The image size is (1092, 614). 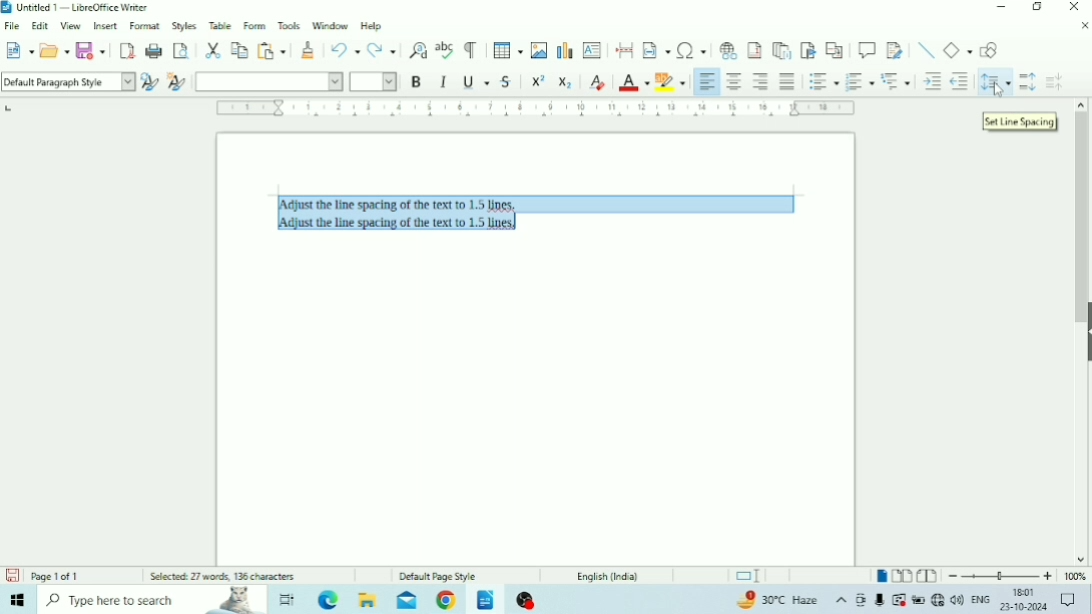 What do you see at coordinates (933, 82) in the screenshot?
I see `Increase Indent` at bounding box center [933, 82].